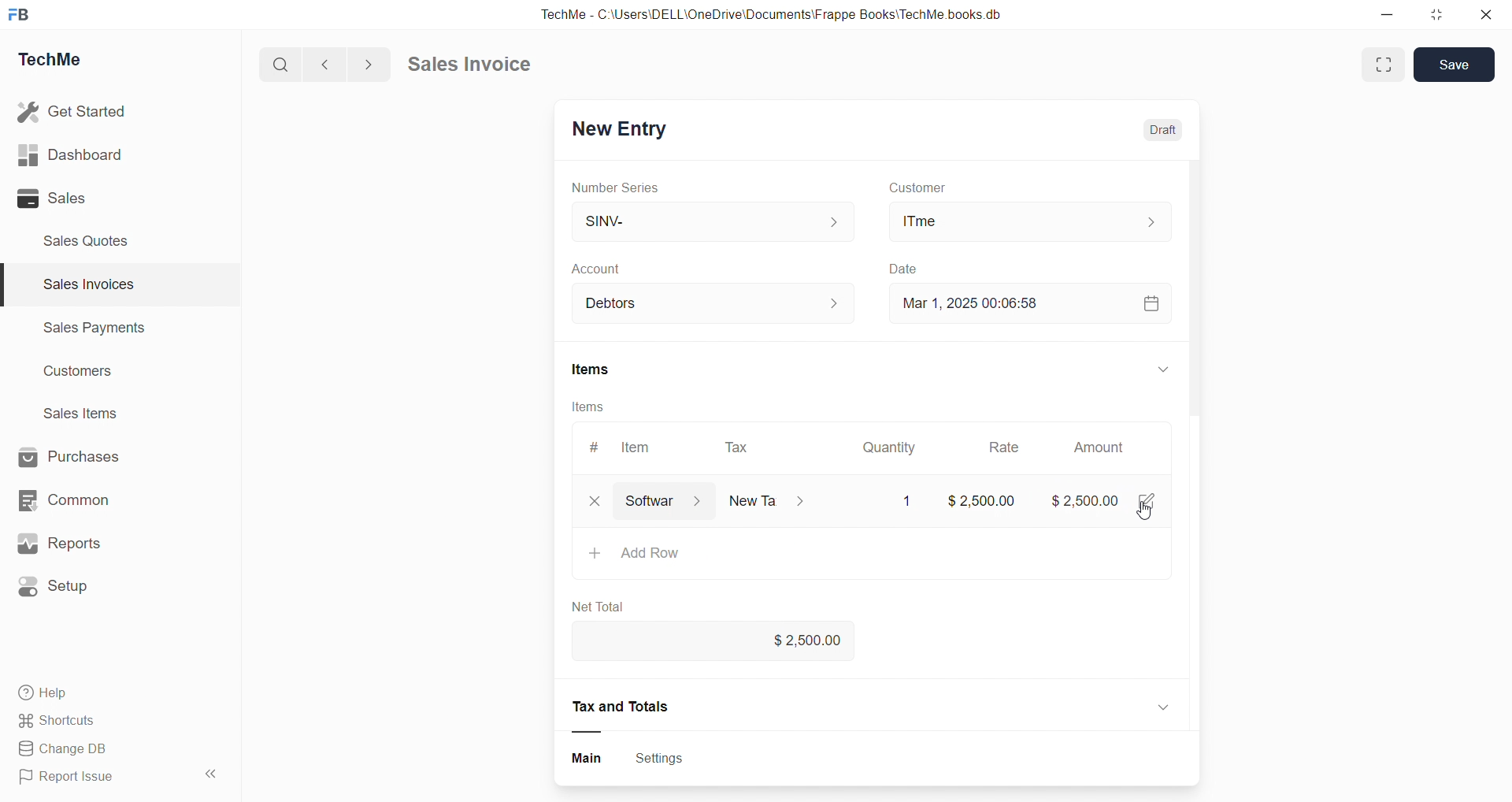 This screenshot has width=1512, height=802. I want to click on Sales Quotes, so click(92, 240).